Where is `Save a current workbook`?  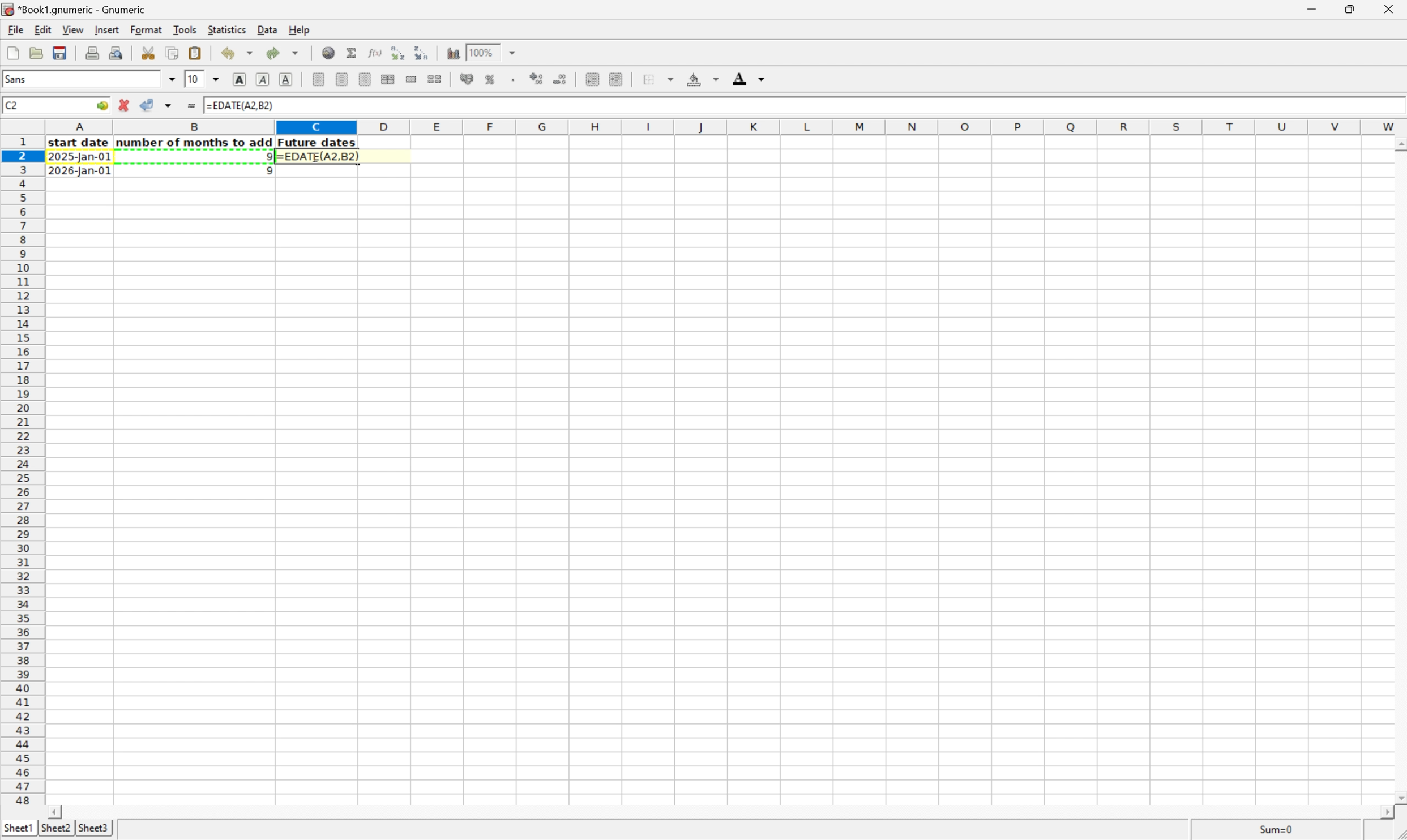 Save a current workbook is located at coordinates (62, 53).